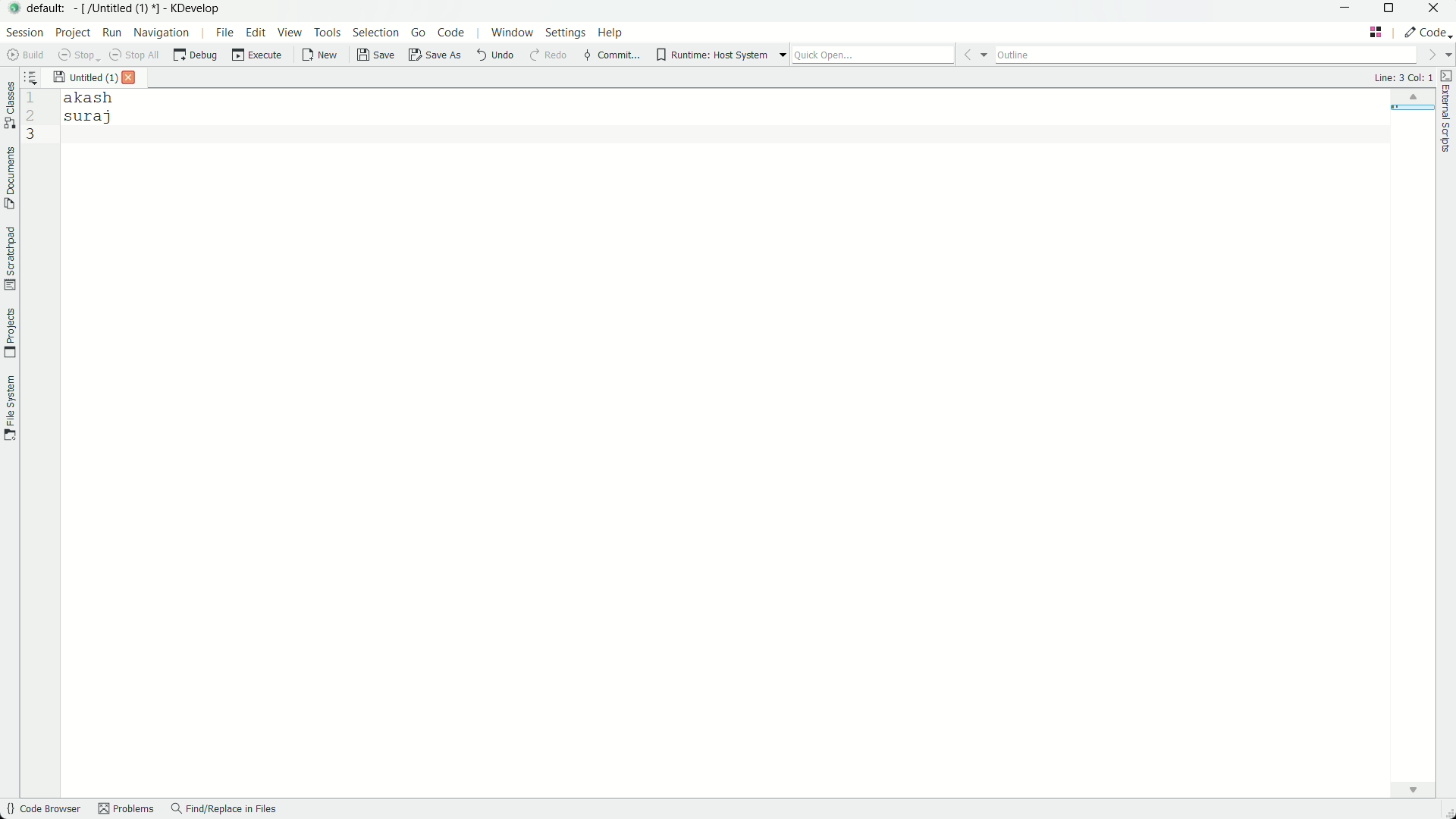  I want to click on sort opened documents, so click(37, 77).